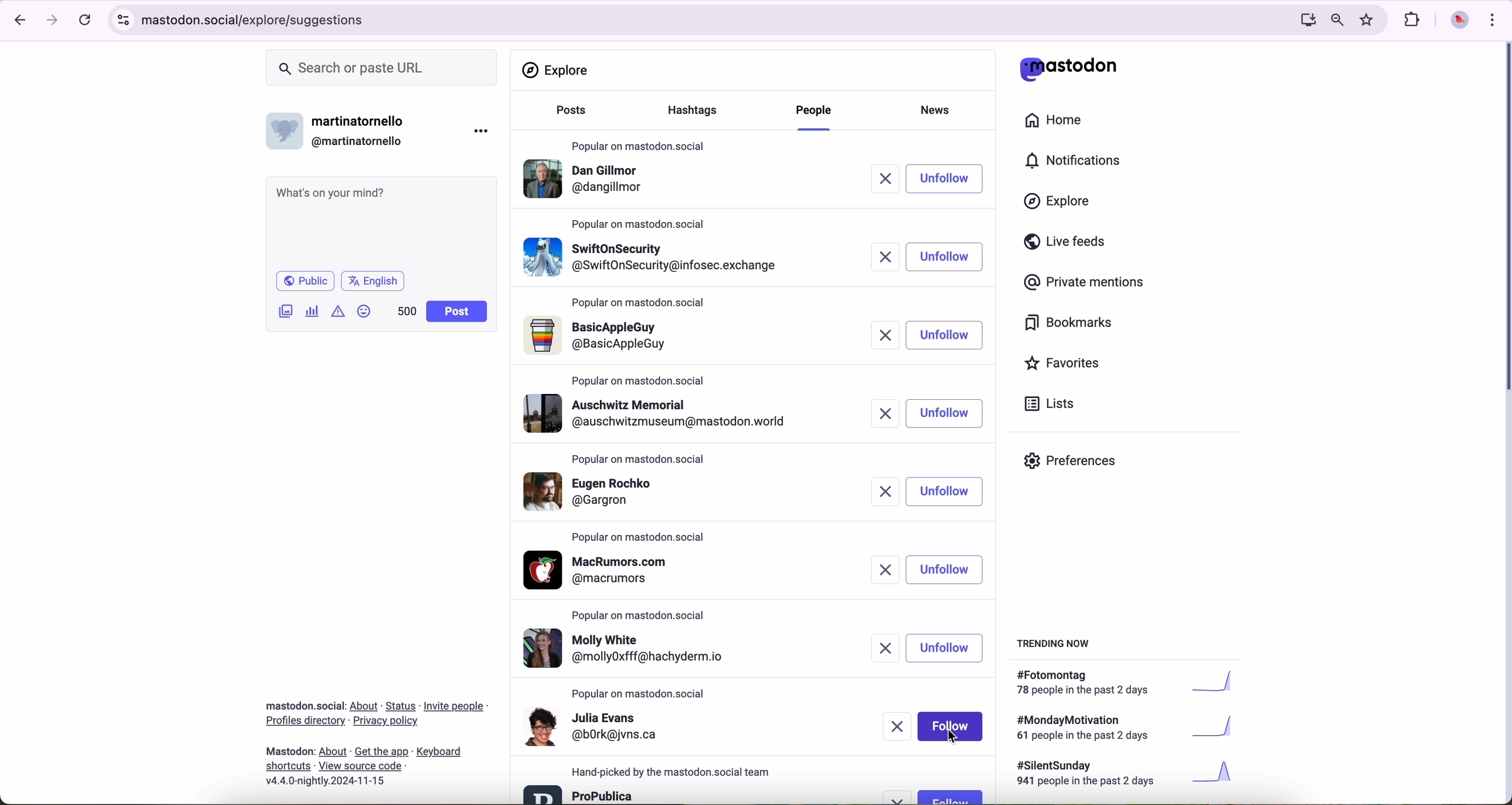  I want to click on remove, so click(883, 491).